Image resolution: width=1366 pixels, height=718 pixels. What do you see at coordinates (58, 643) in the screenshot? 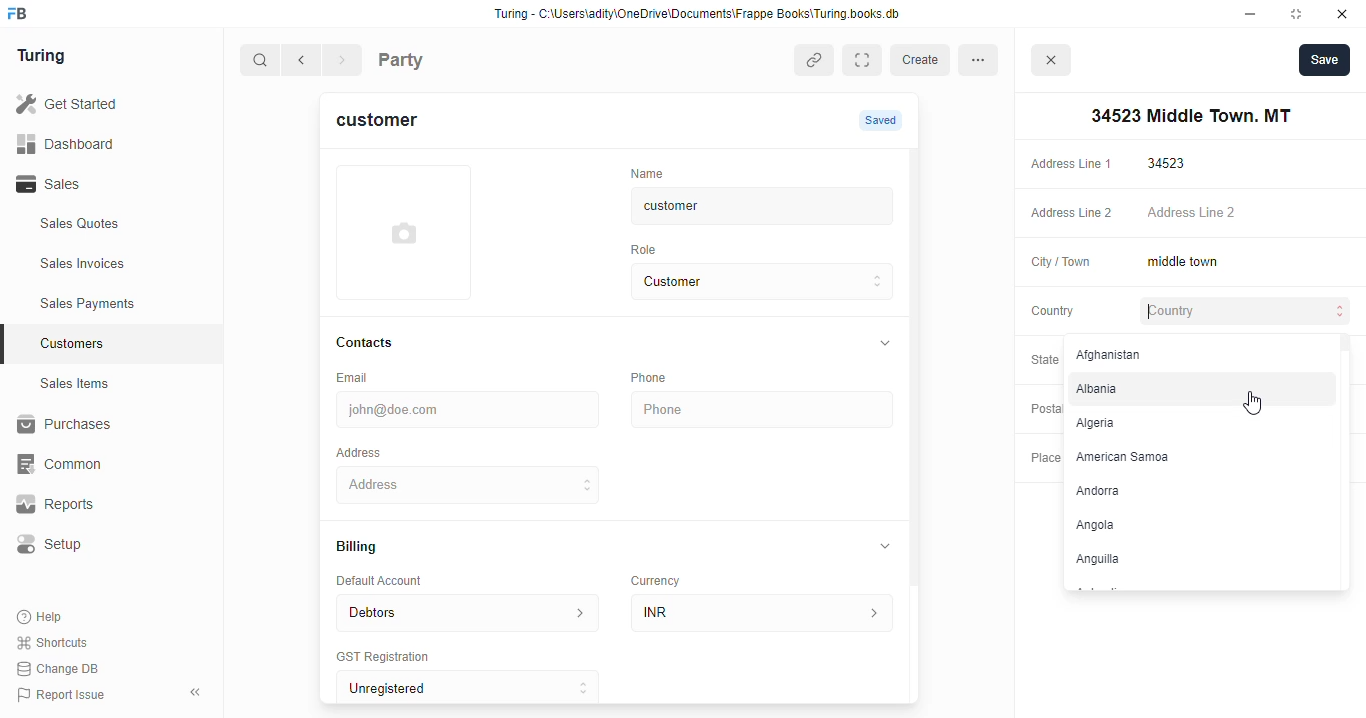
I see `Shortcuts` at bounding box center [58, 643].